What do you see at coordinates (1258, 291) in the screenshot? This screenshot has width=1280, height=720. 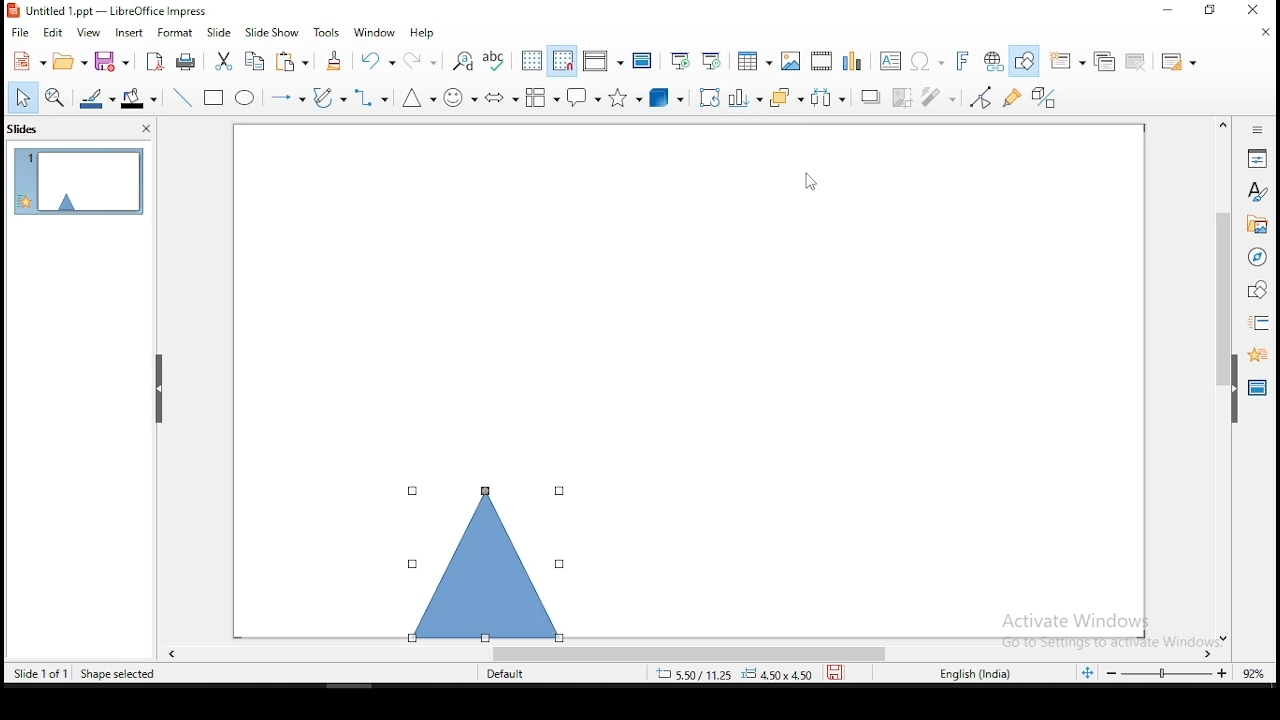 I see `shapes` at bounding box center [1258, 291].